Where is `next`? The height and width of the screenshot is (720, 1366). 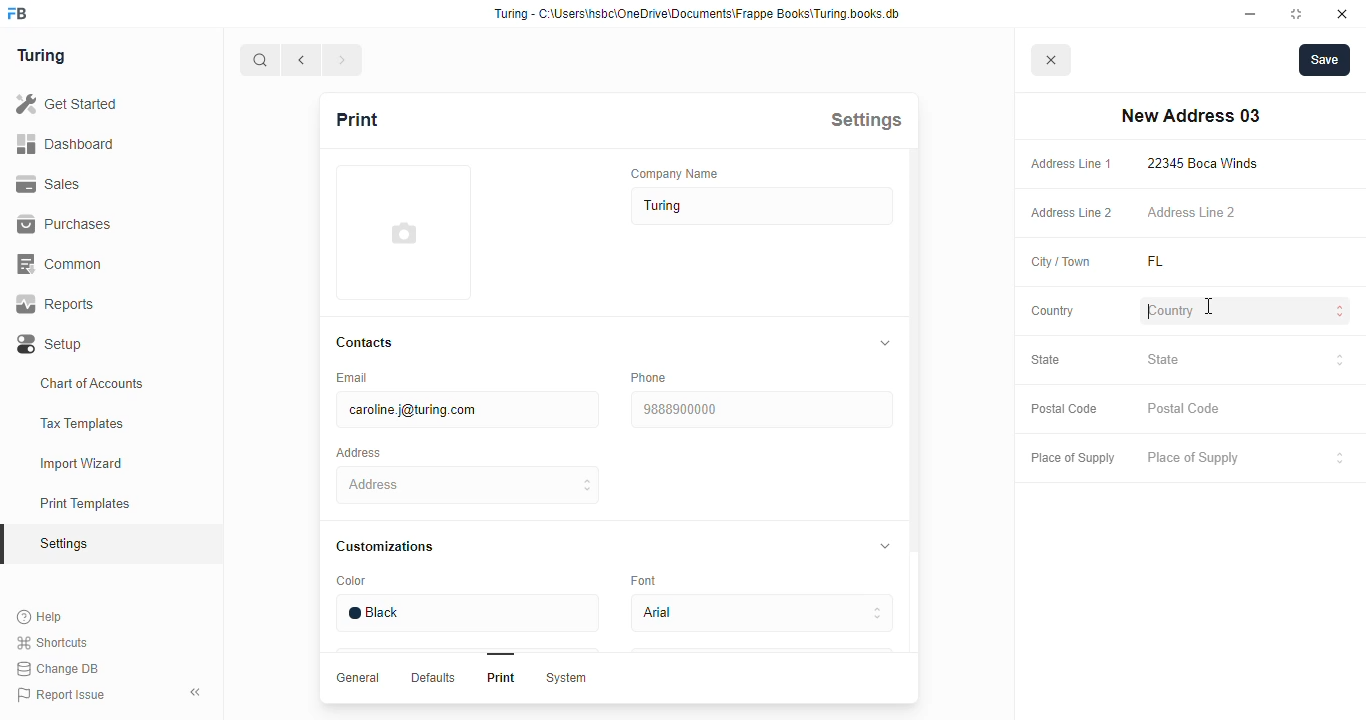 next is located at coordinates (344, 60).